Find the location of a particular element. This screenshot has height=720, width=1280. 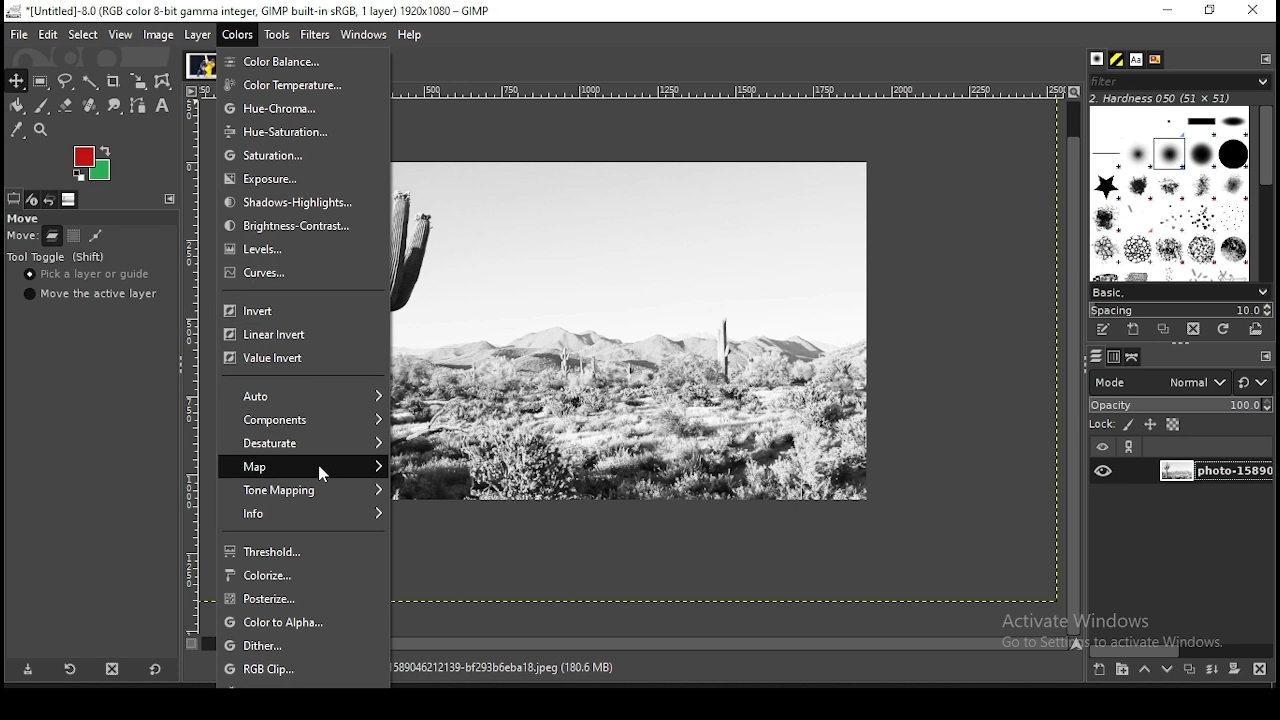

tools is located at coordinates (279, 33).